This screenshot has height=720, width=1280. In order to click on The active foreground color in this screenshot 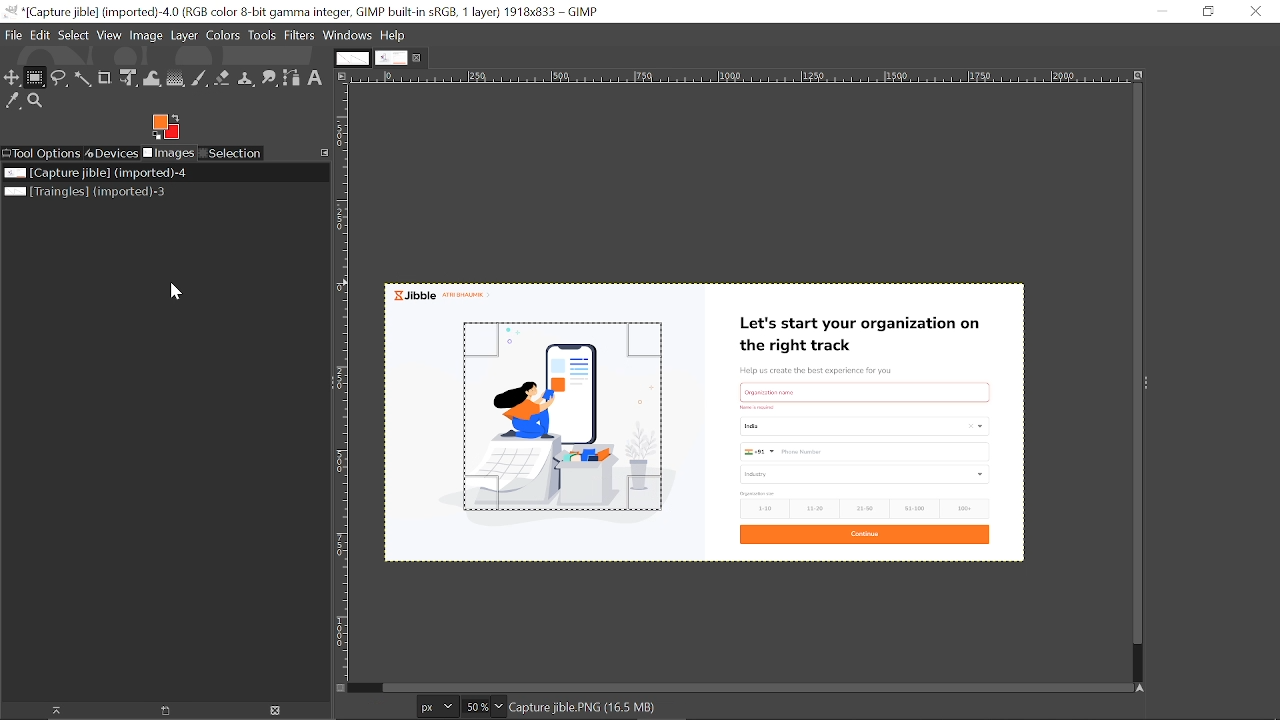, I will do `click(165, 127)`.